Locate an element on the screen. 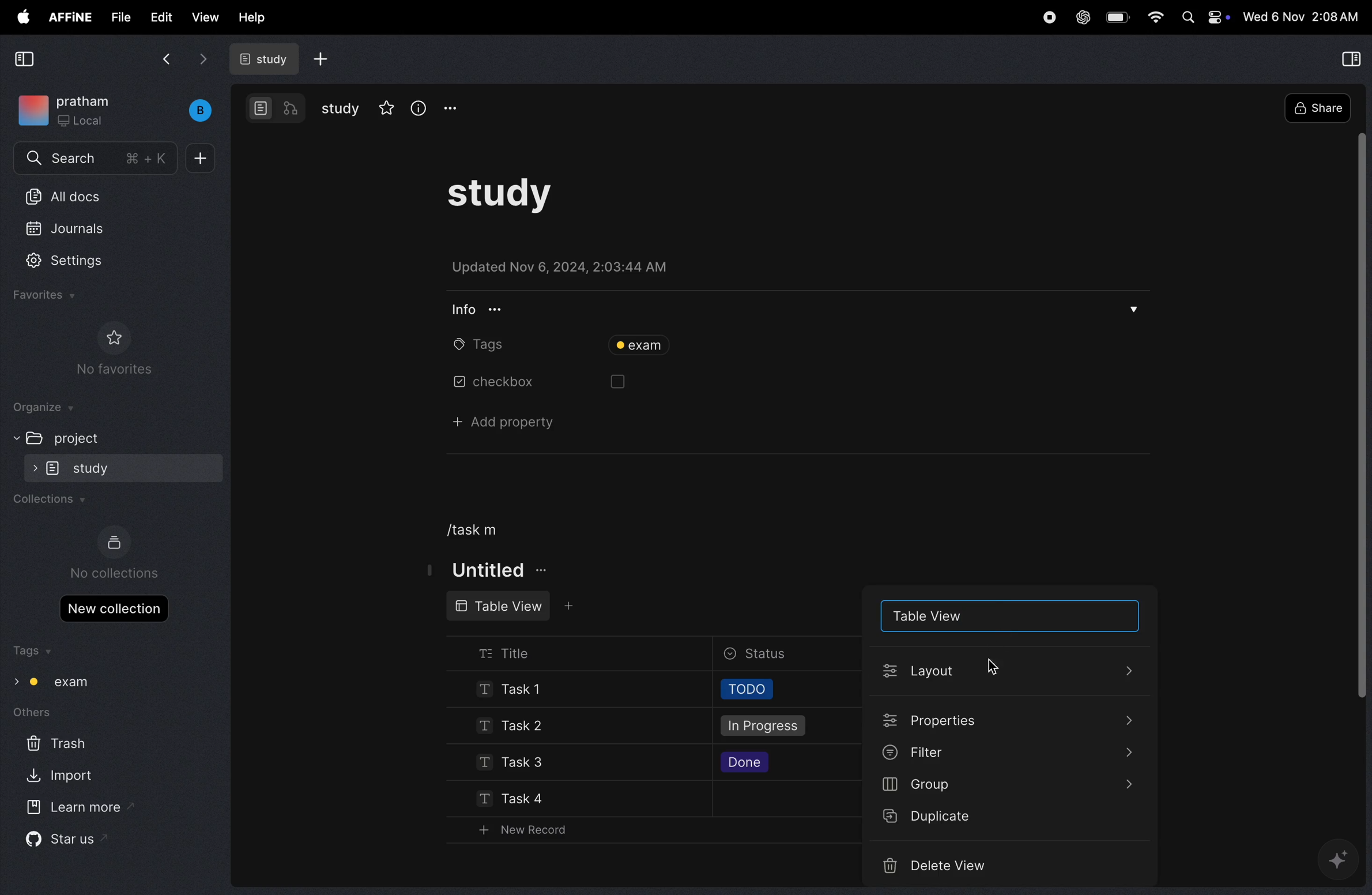 The height and width of the screenshot is (895, 1372). no collections is located at coordinates (116, 552).